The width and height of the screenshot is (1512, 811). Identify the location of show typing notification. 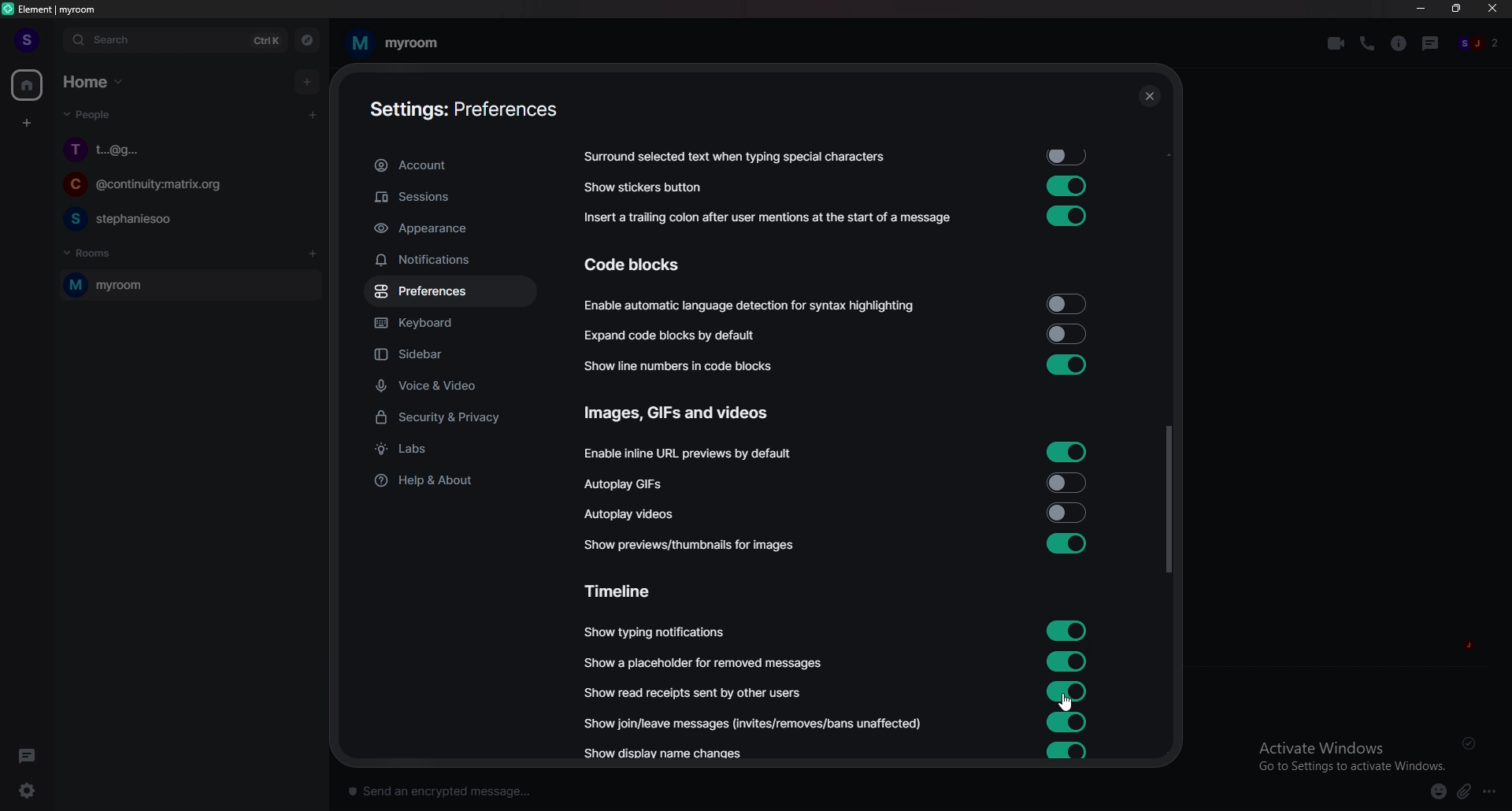
(656, 632).